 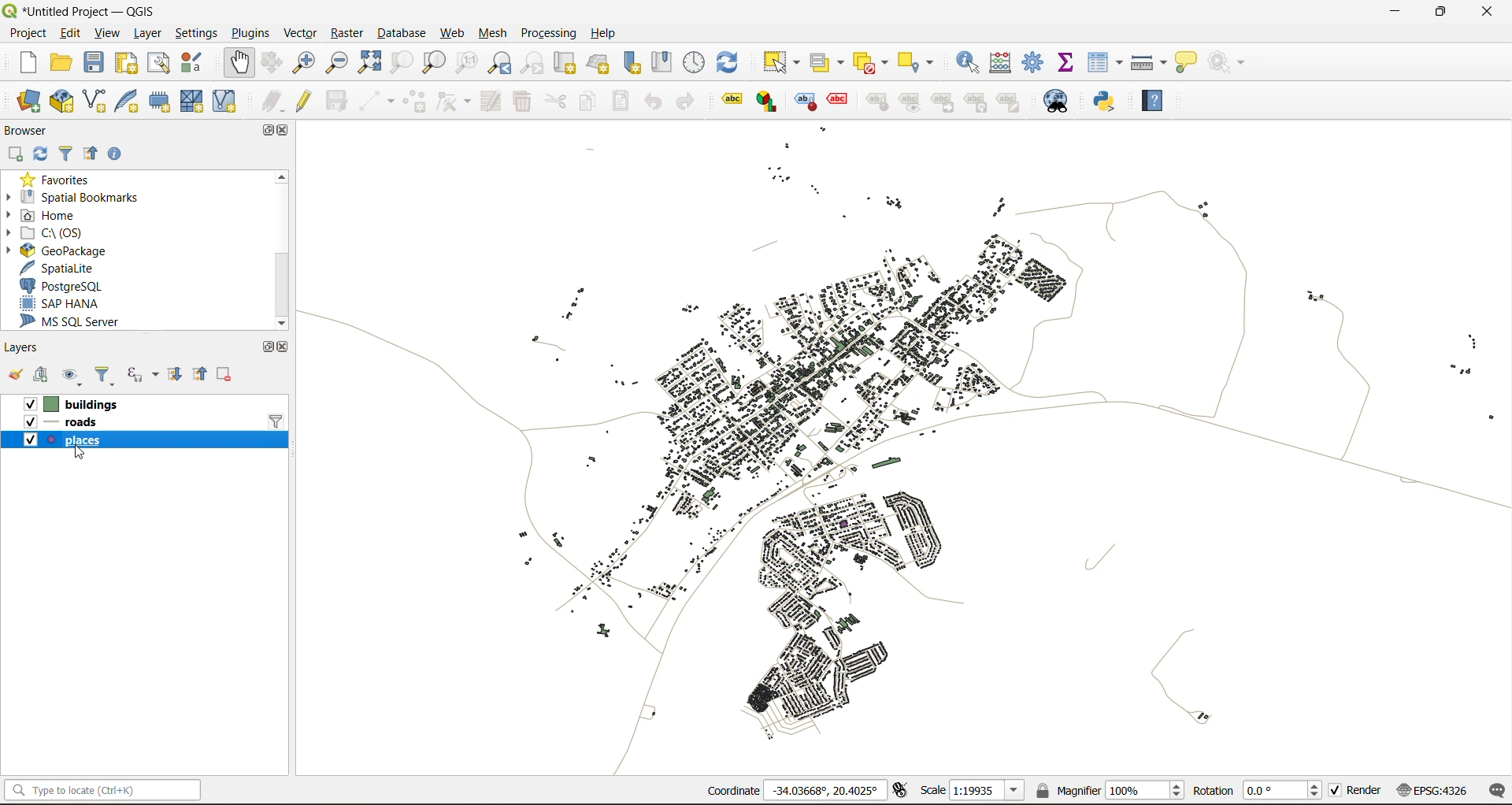 What do you see at coordinates (981, 103) in the screenshot?
I see `rotate a label` at bounding box center [981, 103].